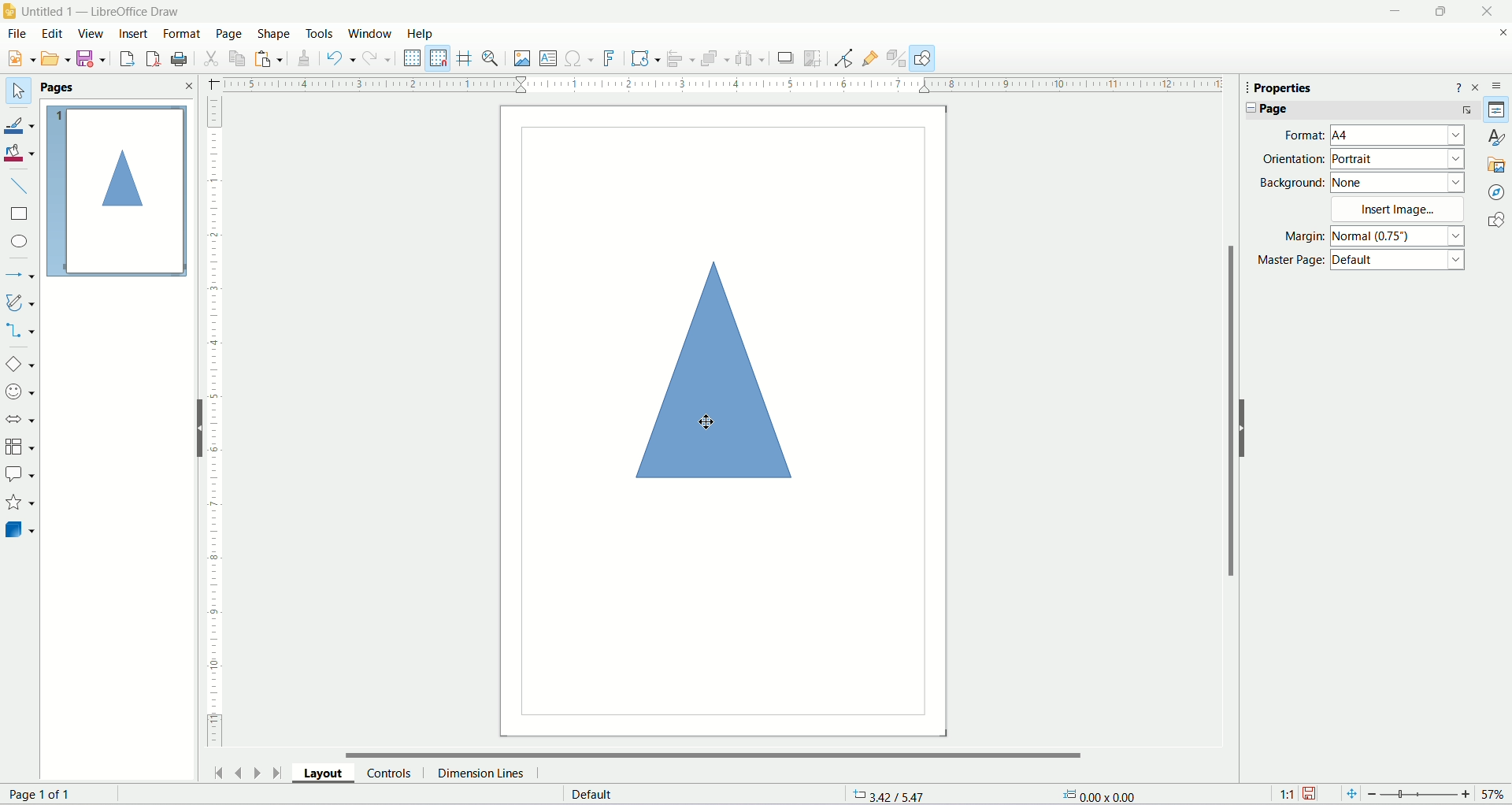 The image size is (1512, 805). What do you see at coordinates (1231, 397) in the screenshot?
I see `vertical scroll bar` at bounding box center [1231, 397].